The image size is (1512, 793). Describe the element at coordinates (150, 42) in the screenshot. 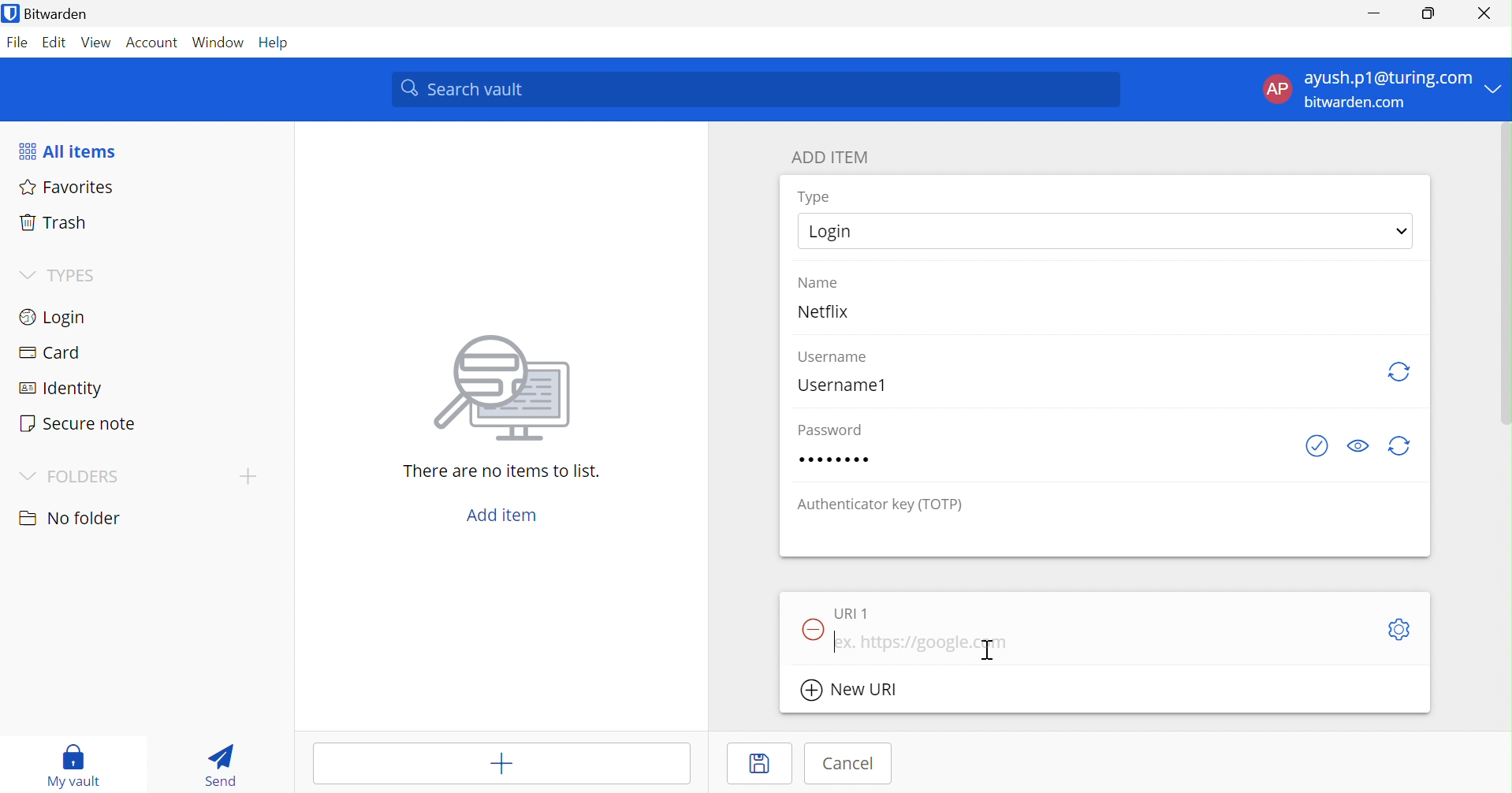

I see `Account` at that location.